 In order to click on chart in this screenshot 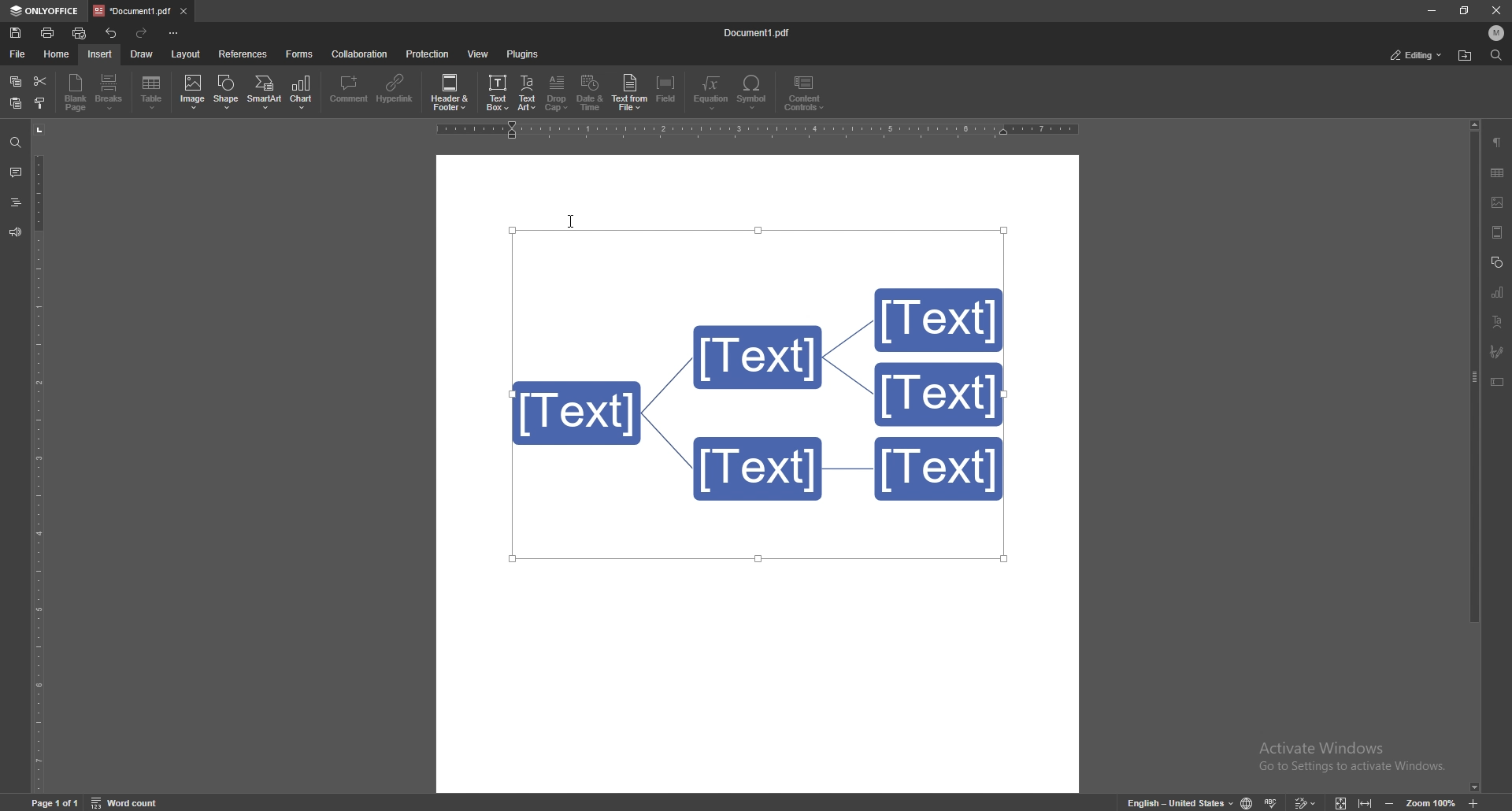, I will do `click(302, 92)`.